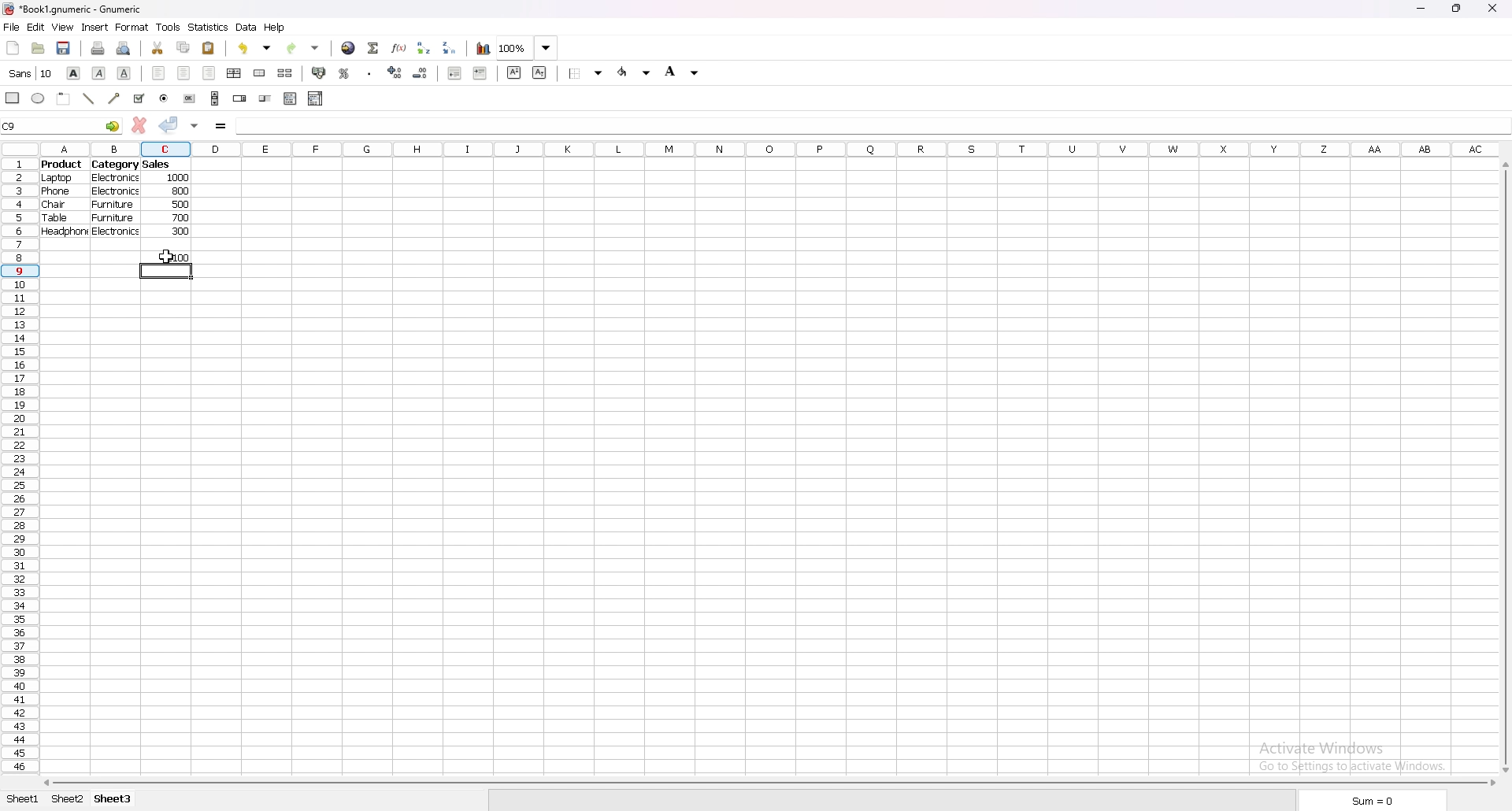 The width and height of the screenshot is (1512, 811). Describe the element at coordinates (13, 98) in the screenshot. I see `rectangle` at that location.